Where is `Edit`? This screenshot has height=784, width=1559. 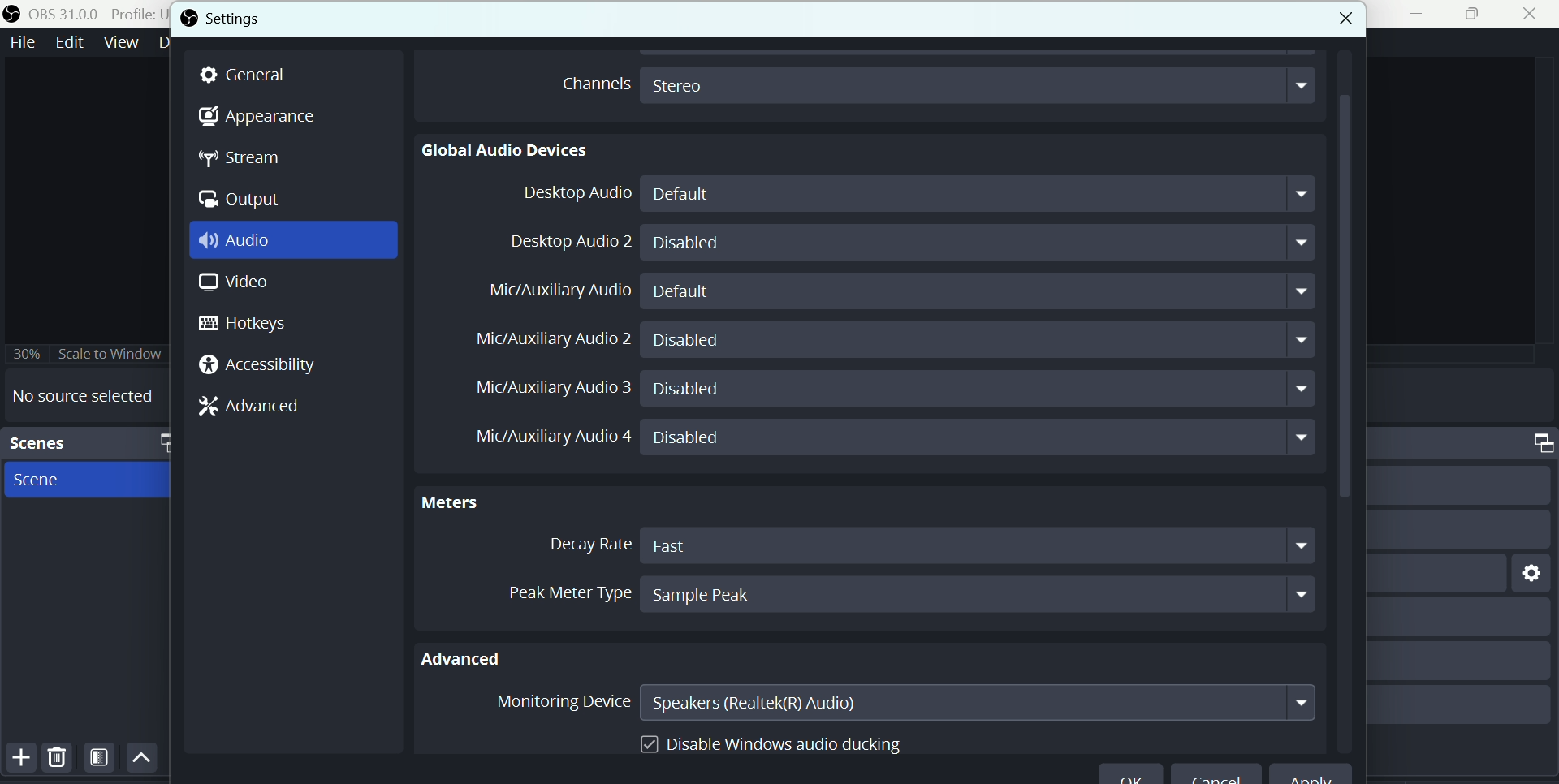 Edit is located at coordinates (67, 42).